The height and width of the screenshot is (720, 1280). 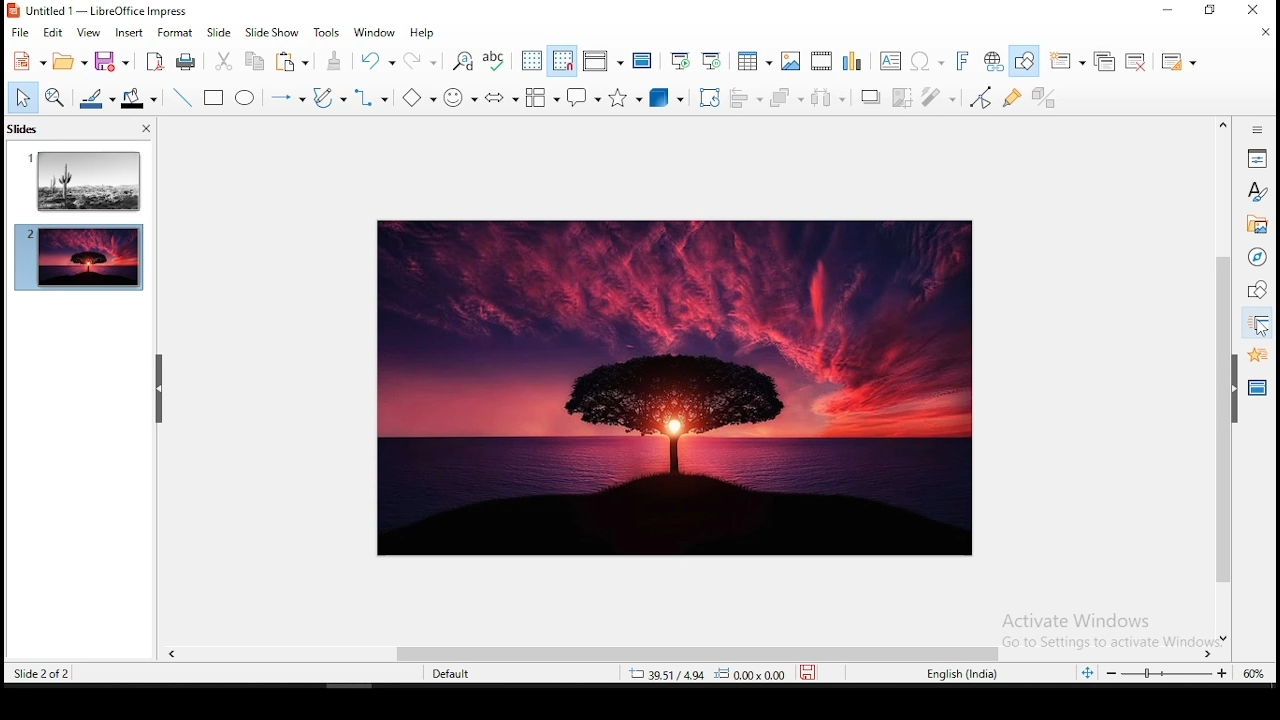 What do you see at coordinates (1221, 380) in the screenshot?
I see `scroll bar` at bounding box center [1221, 380].